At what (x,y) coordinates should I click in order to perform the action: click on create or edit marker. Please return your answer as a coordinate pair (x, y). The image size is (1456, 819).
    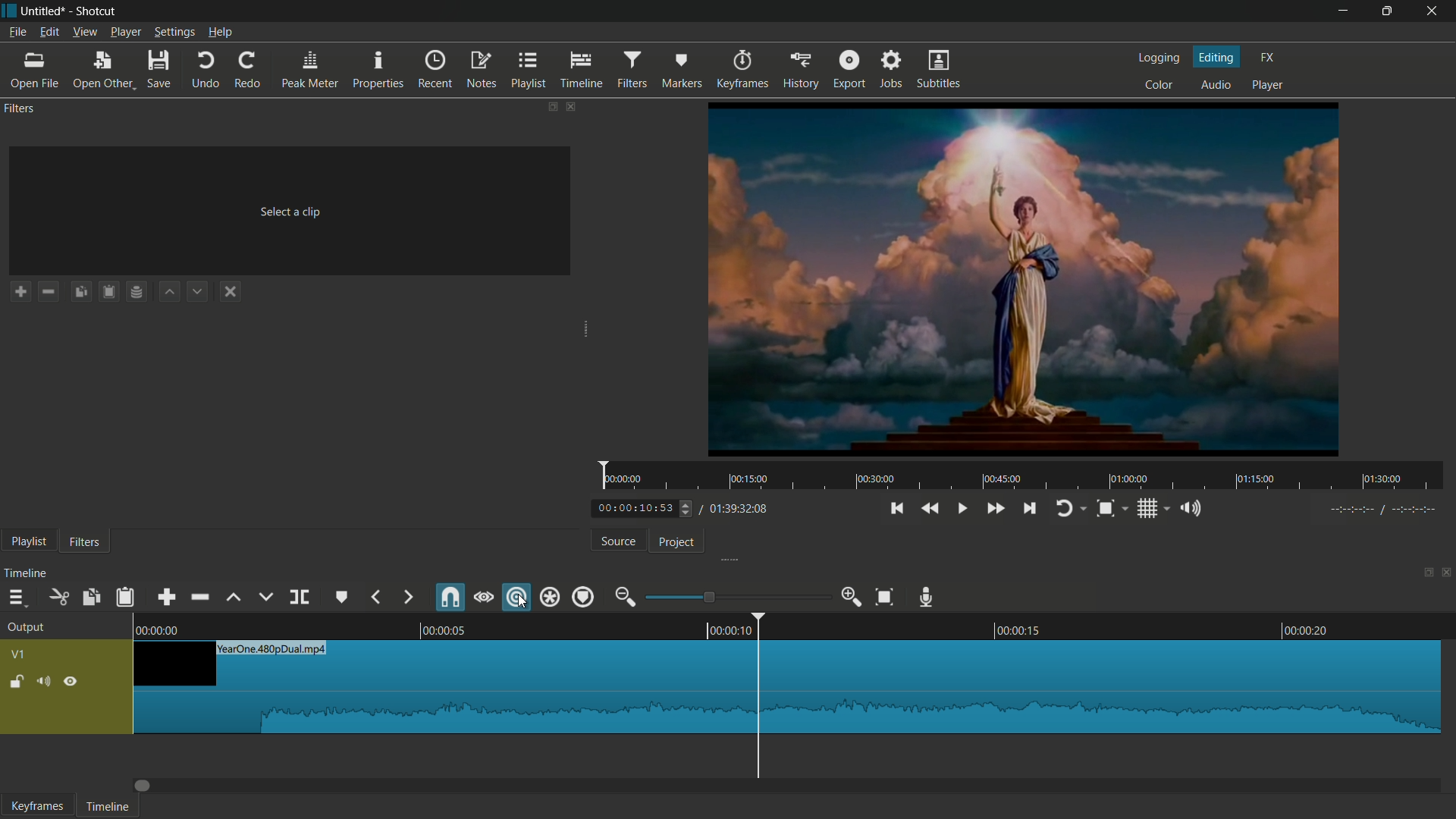
    Looking at the image, I should click on (339, 597).